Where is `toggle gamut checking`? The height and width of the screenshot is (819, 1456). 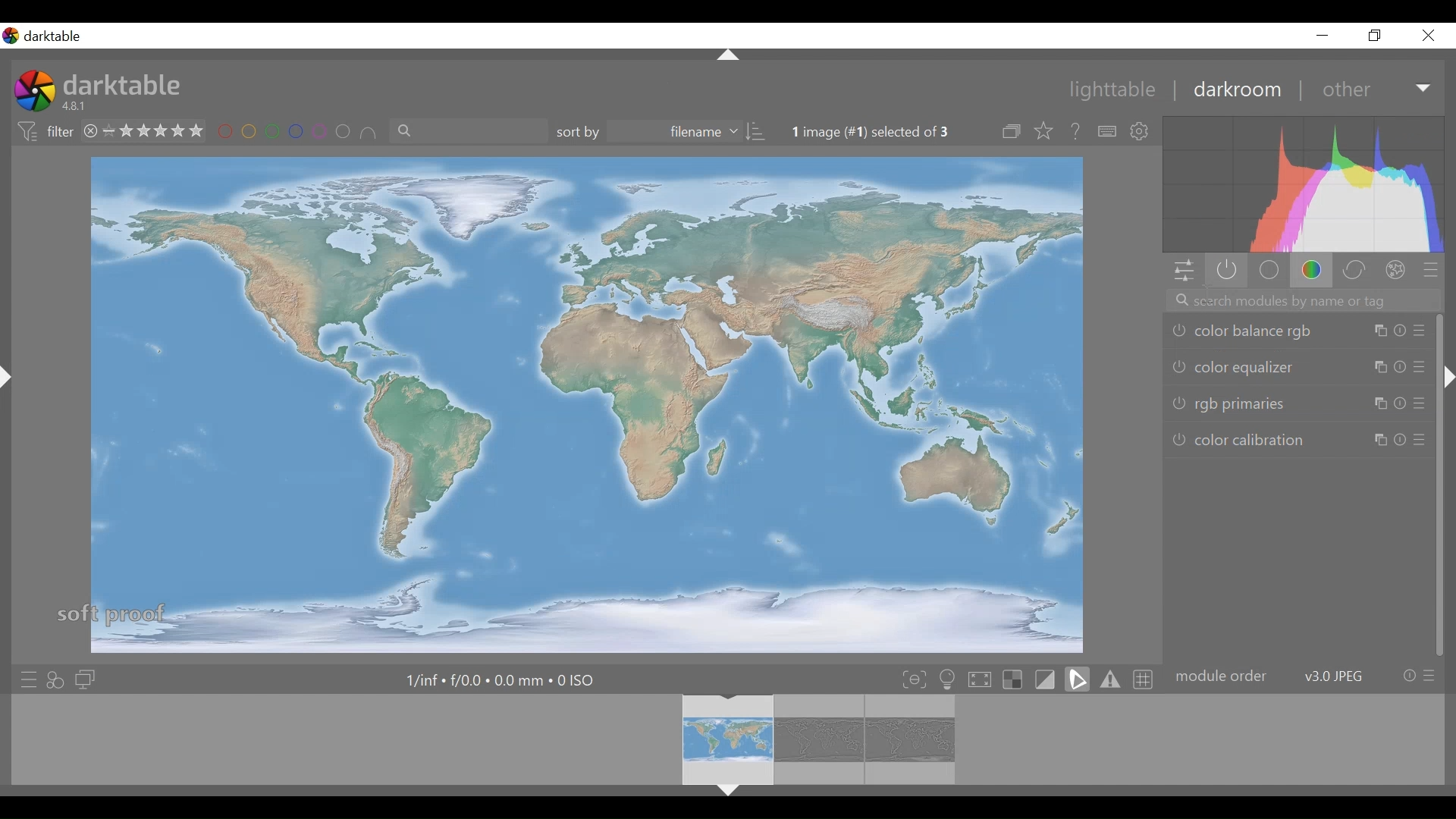
toggle gamut checking is located at coordinates (1109, 679).